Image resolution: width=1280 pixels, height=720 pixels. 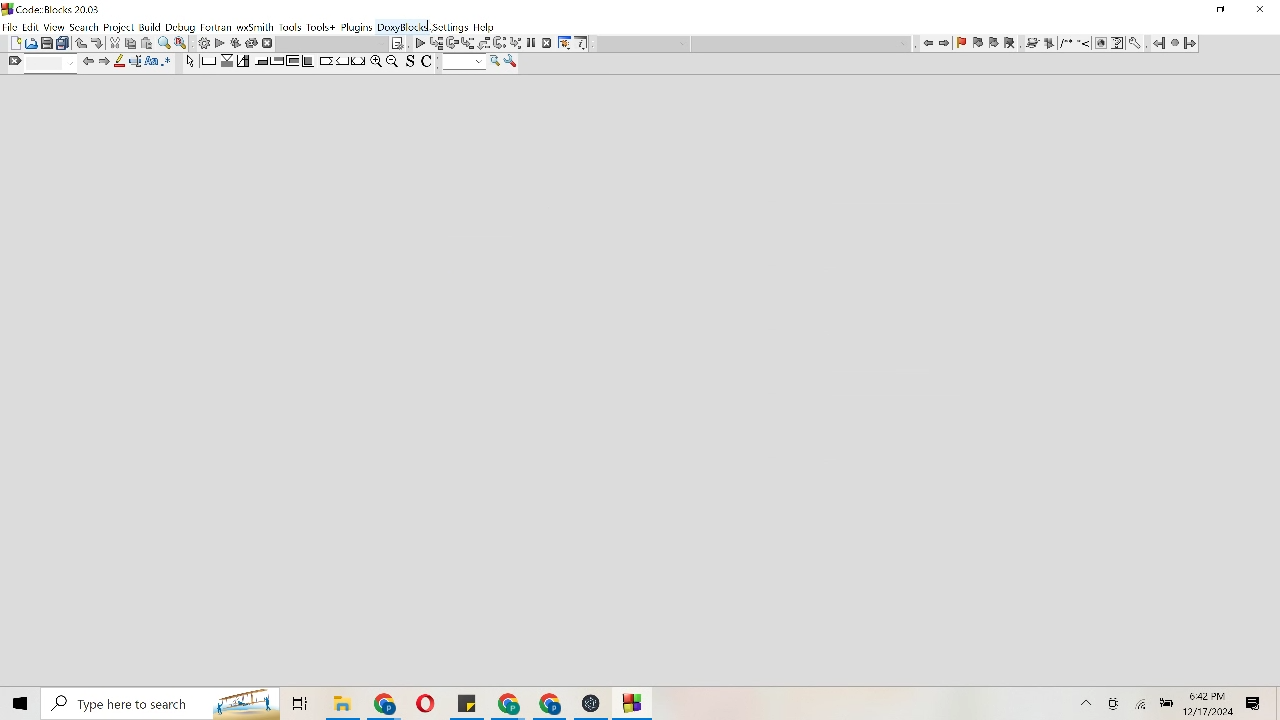 What do you see at coordinates (299, 704) in the screenshot?
I see `folders` at bounding box center [299, 704].